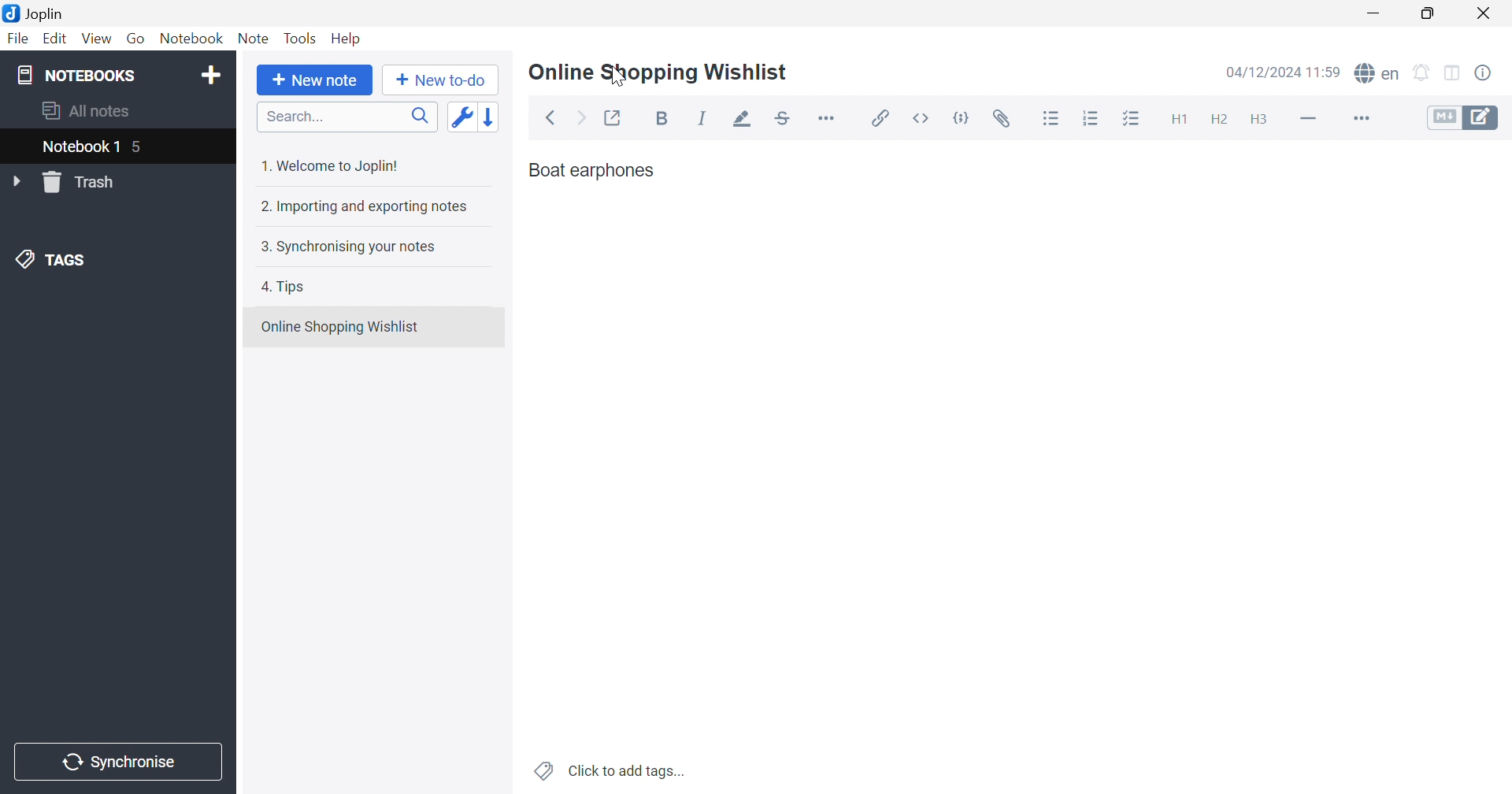 The width and height of the screenshot is (1512, 794). What do you see at coordinates (1429, 14) in the screenshot?
I see `Restore Down` at bounding box center [1429, 14].